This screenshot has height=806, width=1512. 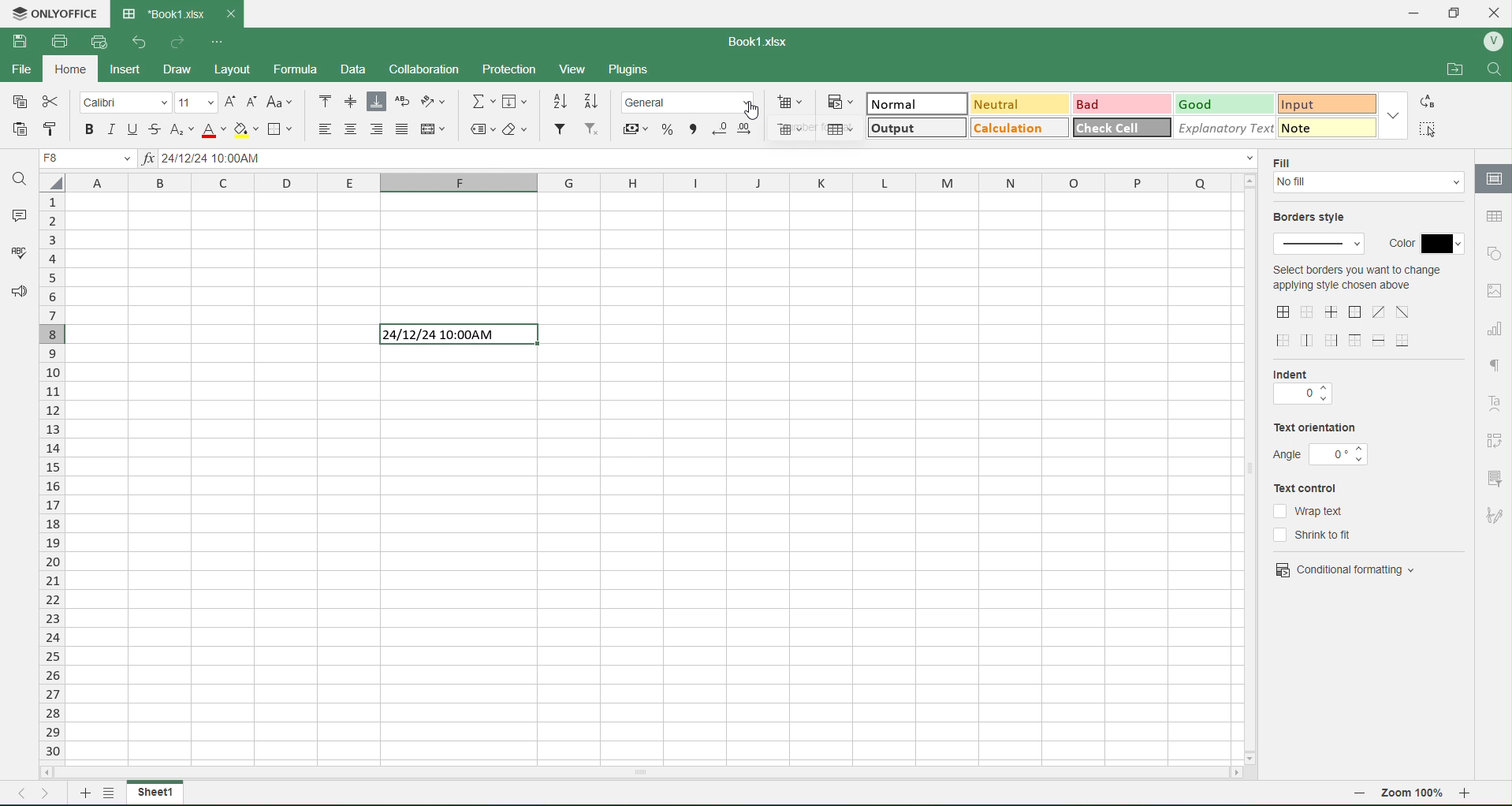 I want to click on bad, so click(x=1092, y=103).